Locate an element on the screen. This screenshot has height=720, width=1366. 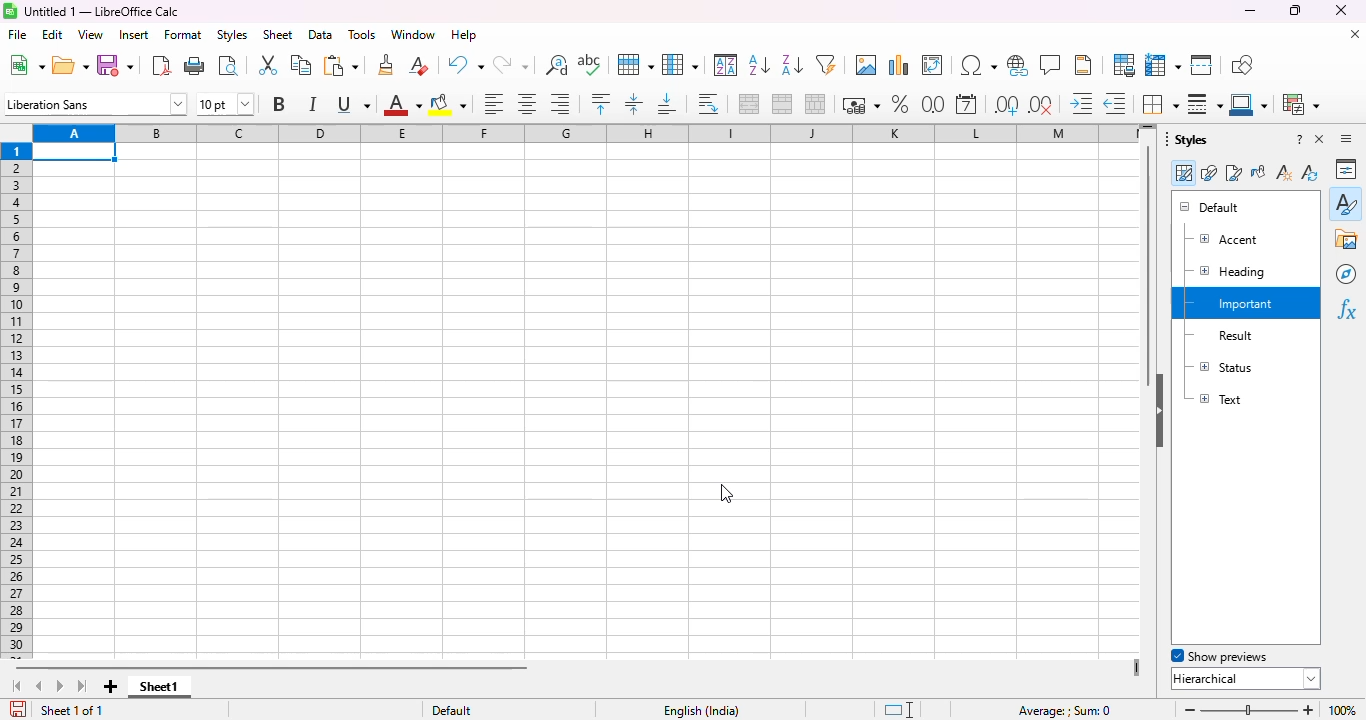
functions is located at coordinates (1346, 310).